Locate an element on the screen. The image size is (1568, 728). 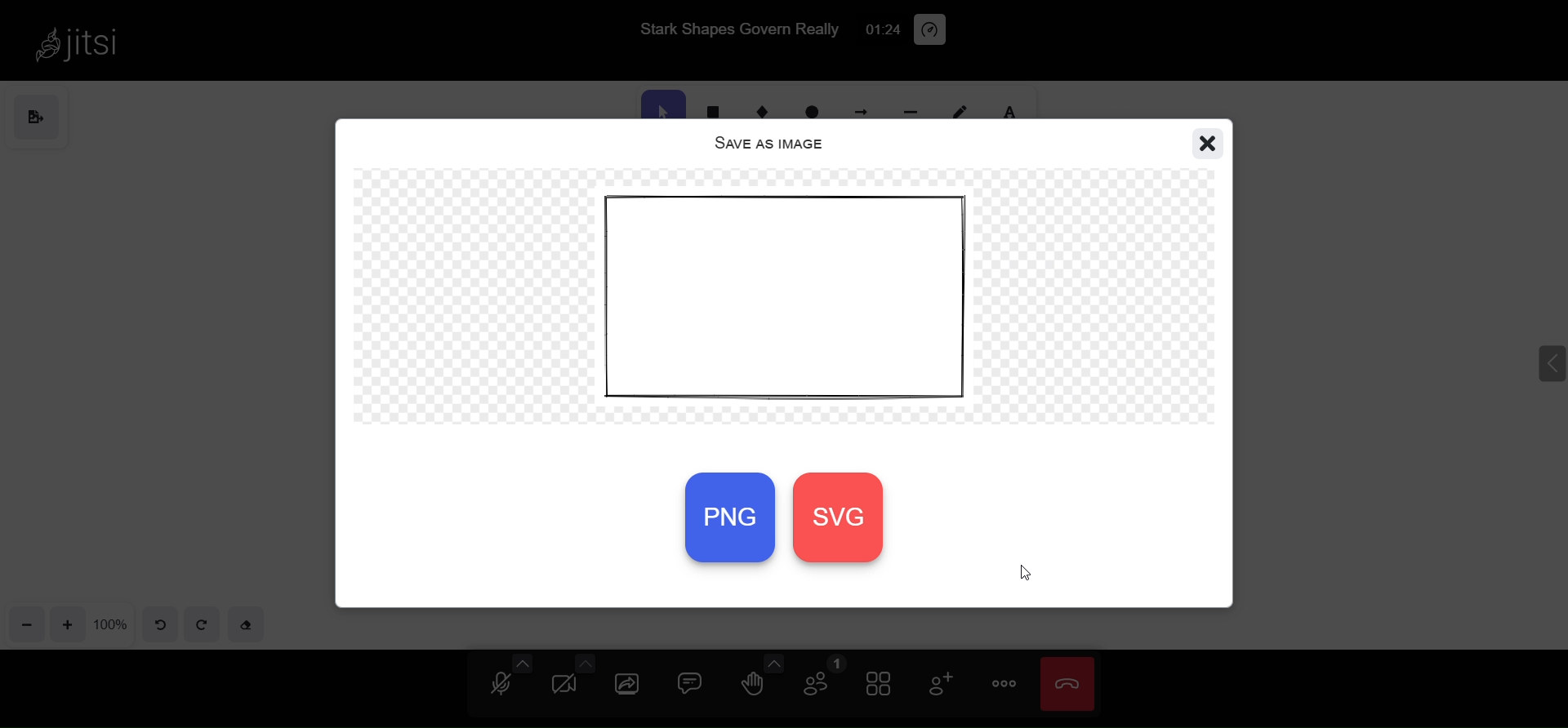
more is located at coordinates (1003, 681).